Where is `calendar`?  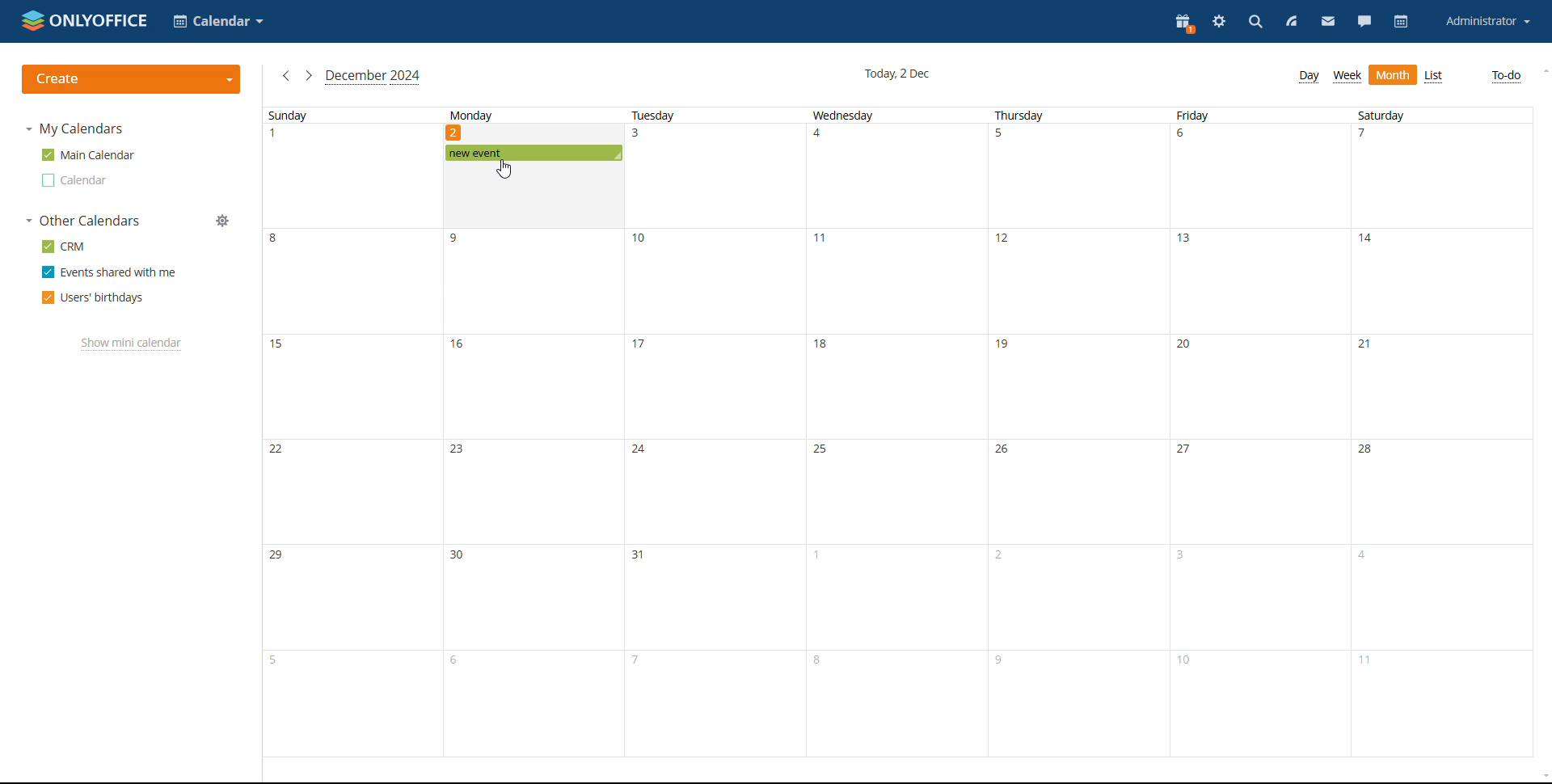
calendar is located at coordinates (1401, 21).